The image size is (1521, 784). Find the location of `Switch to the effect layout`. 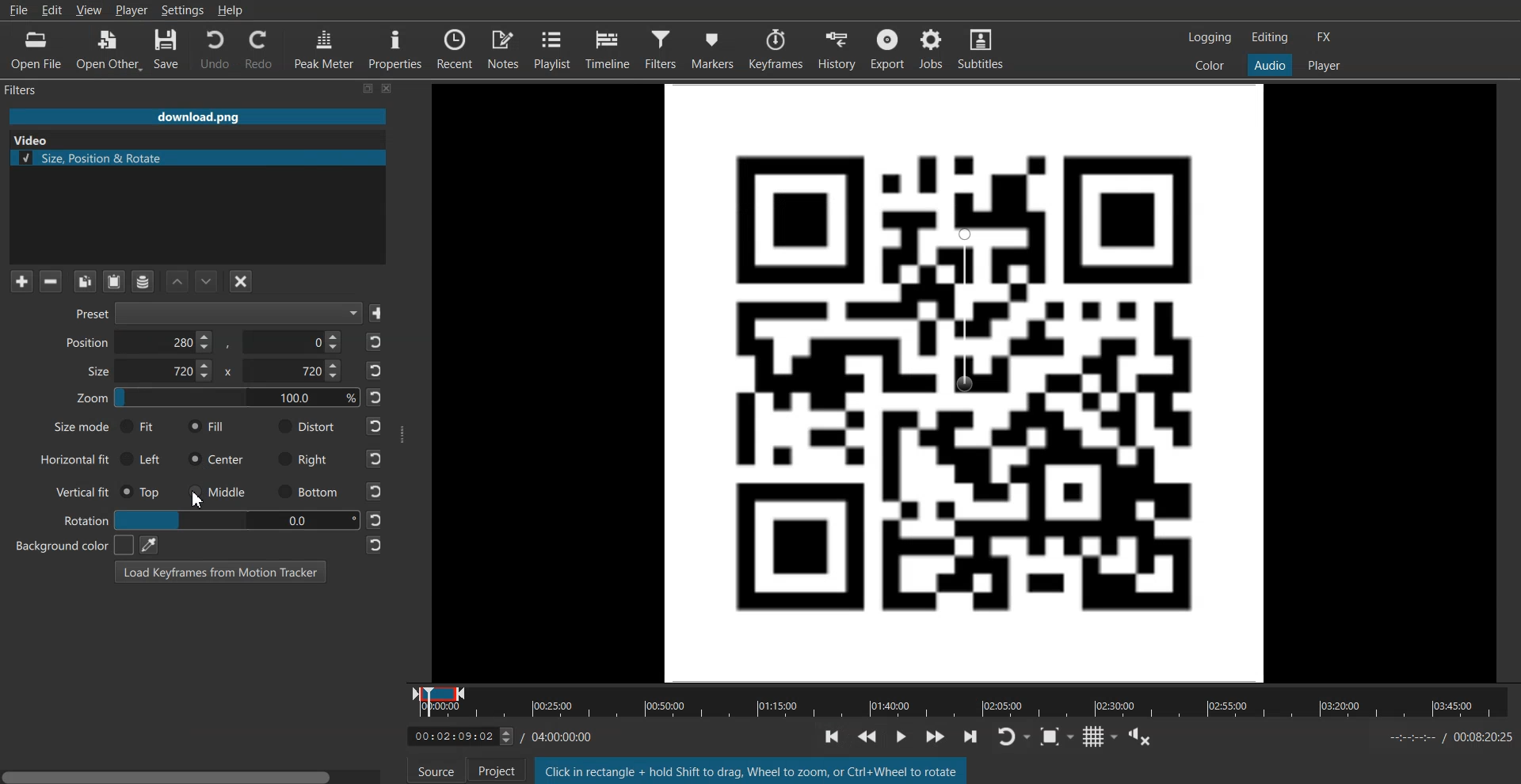

Switch to the effect layout is located at coordinates (1325, 37).